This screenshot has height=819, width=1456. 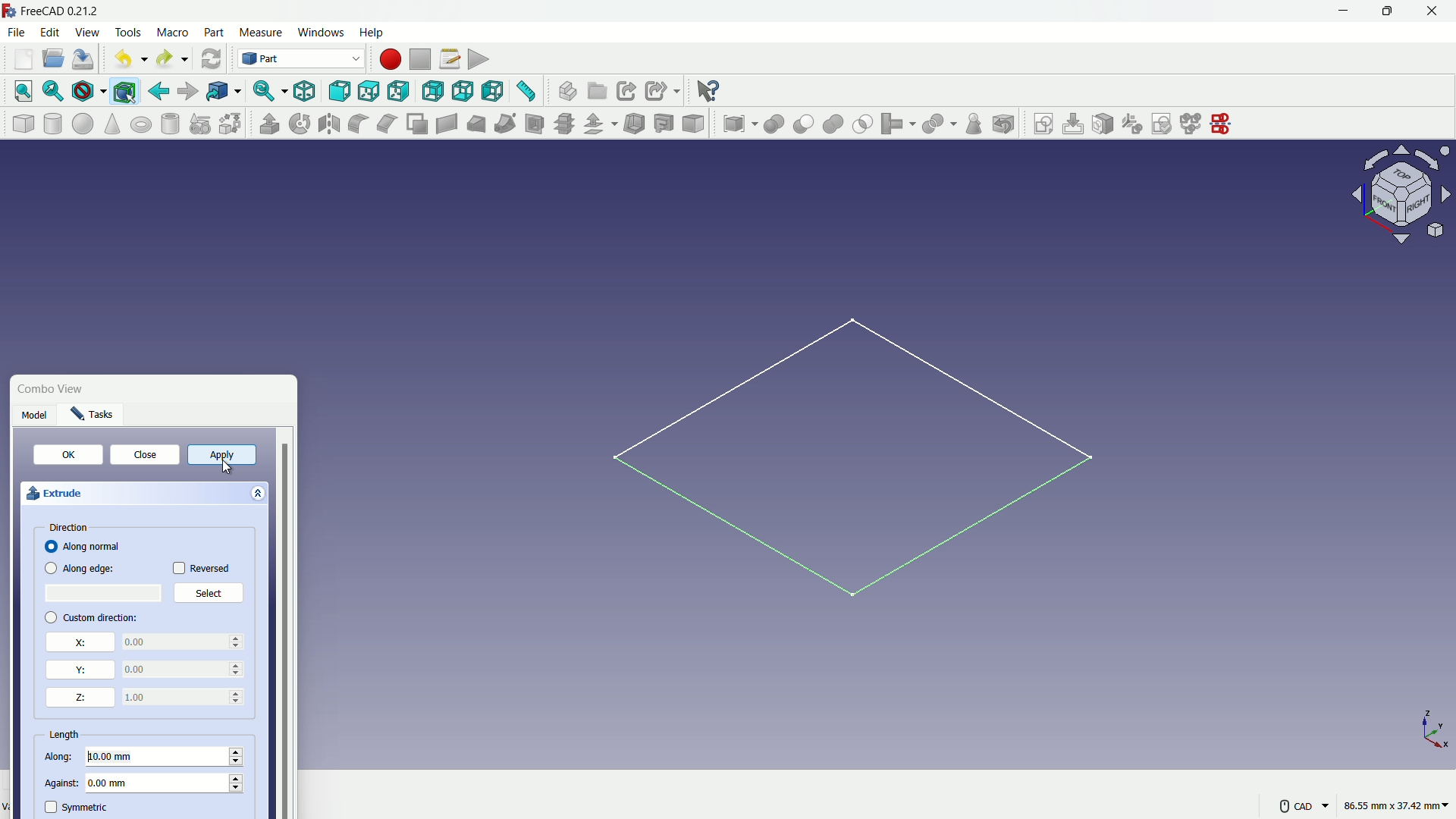 What do you see at coordinates (17, 33) in the screenshot?
I see `file` at bounding box center [17, 33].